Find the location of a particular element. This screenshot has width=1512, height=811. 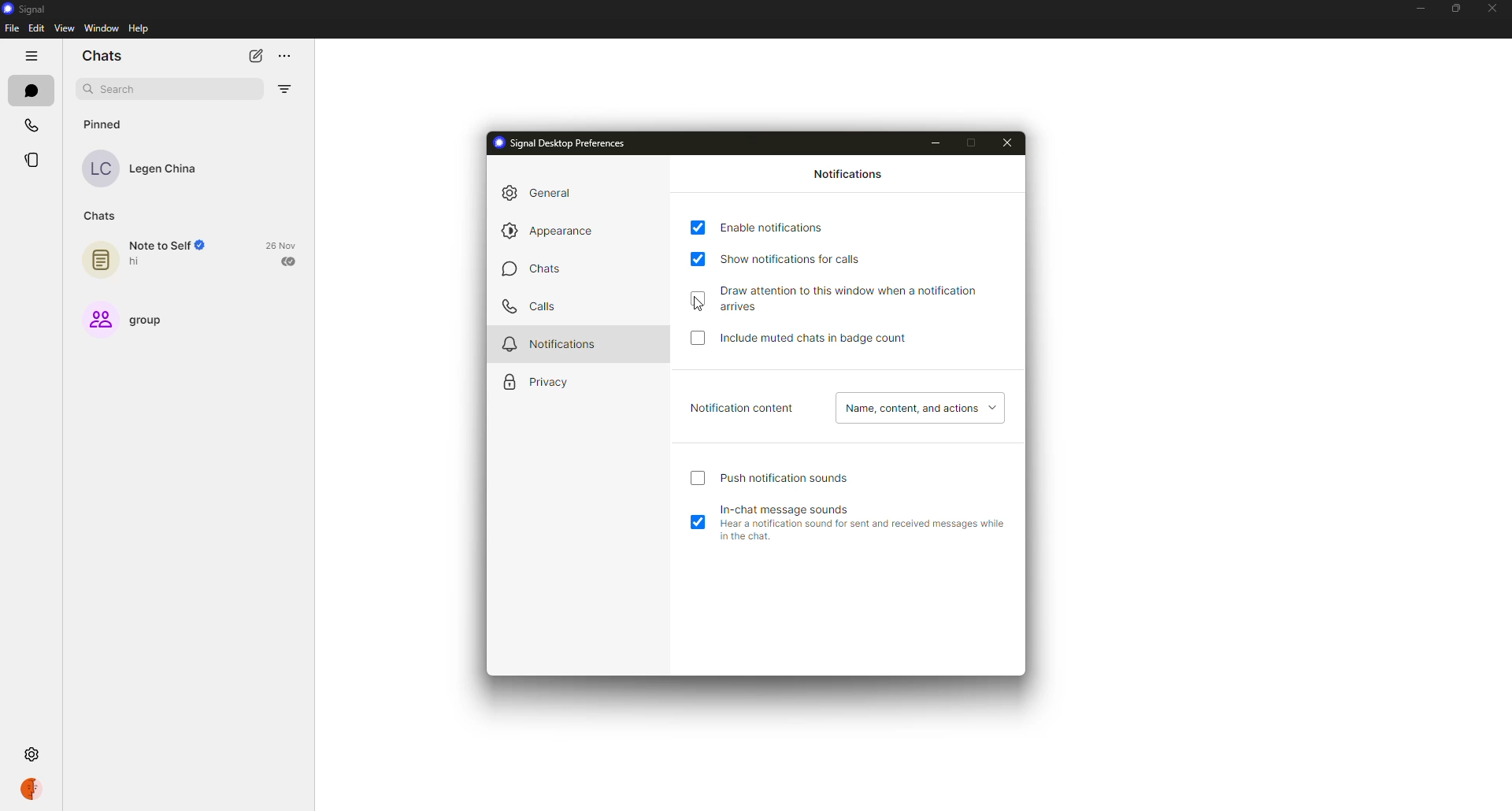

in-chat message sounds is located at coordinates (792, 507).